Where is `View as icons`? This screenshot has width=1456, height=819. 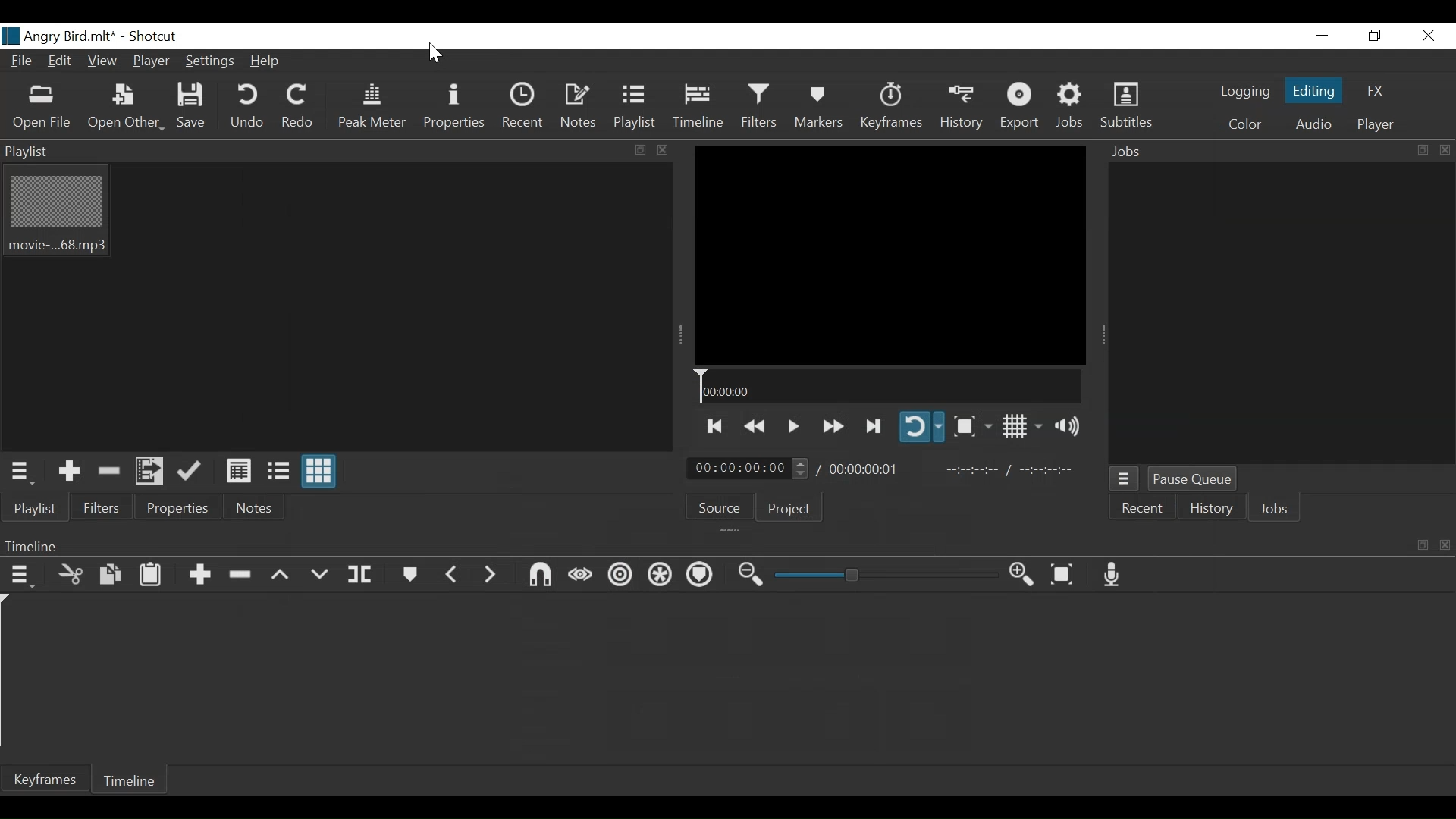 View as icons is located at coordinates (318, 471).